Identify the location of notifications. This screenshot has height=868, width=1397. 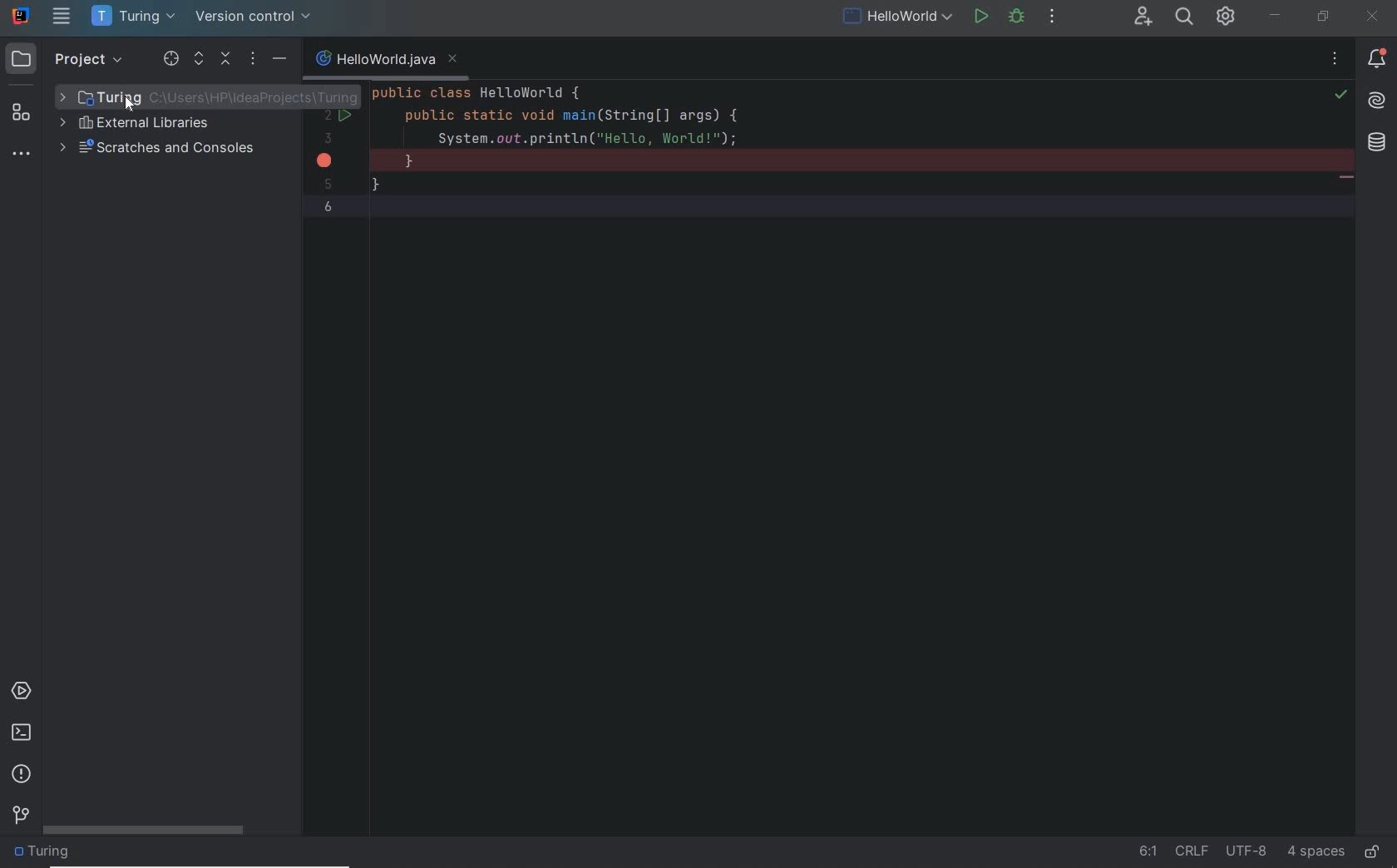
(1374, 61).